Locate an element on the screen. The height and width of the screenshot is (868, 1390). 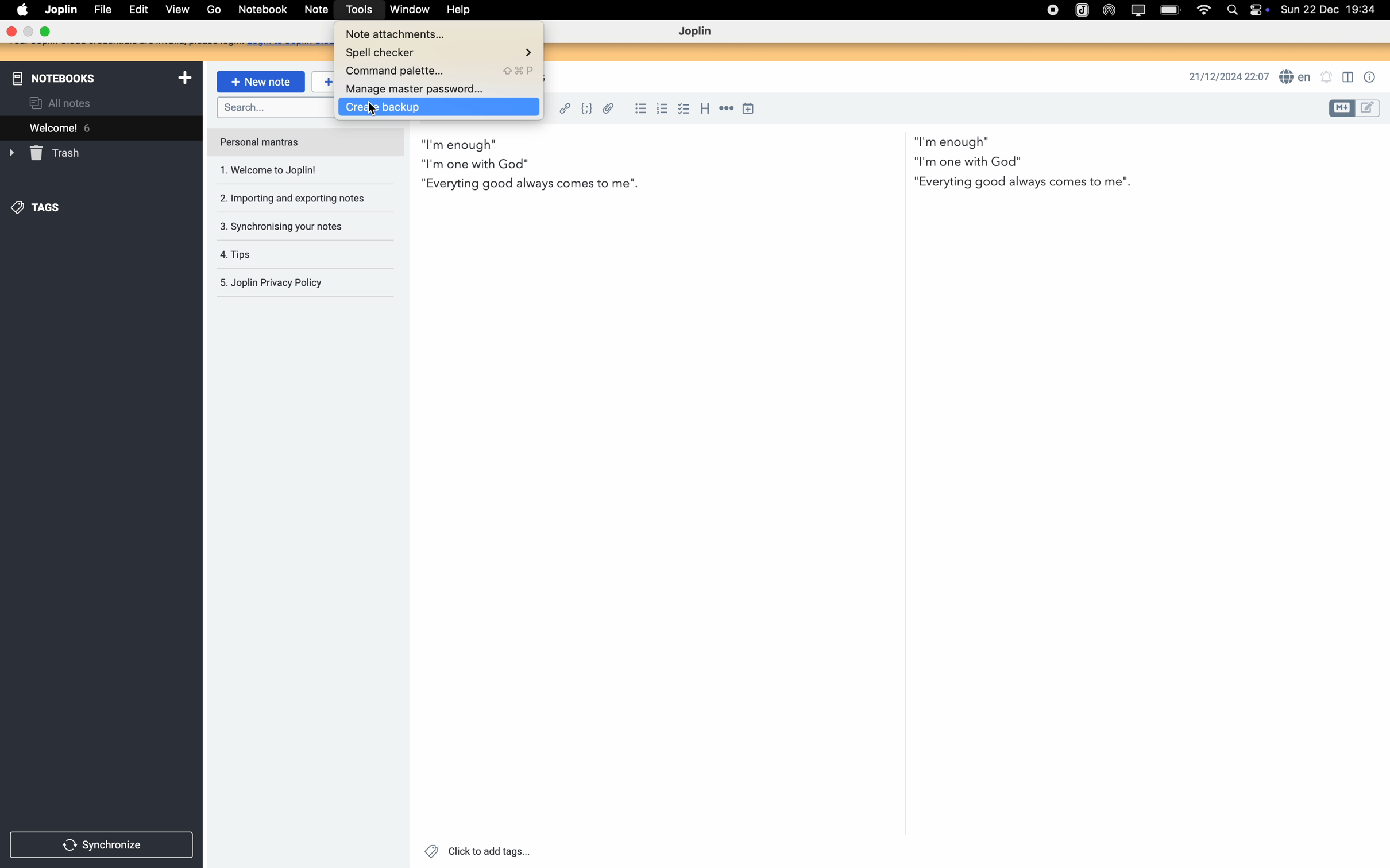
screen is located at coordinates (1136, 9).